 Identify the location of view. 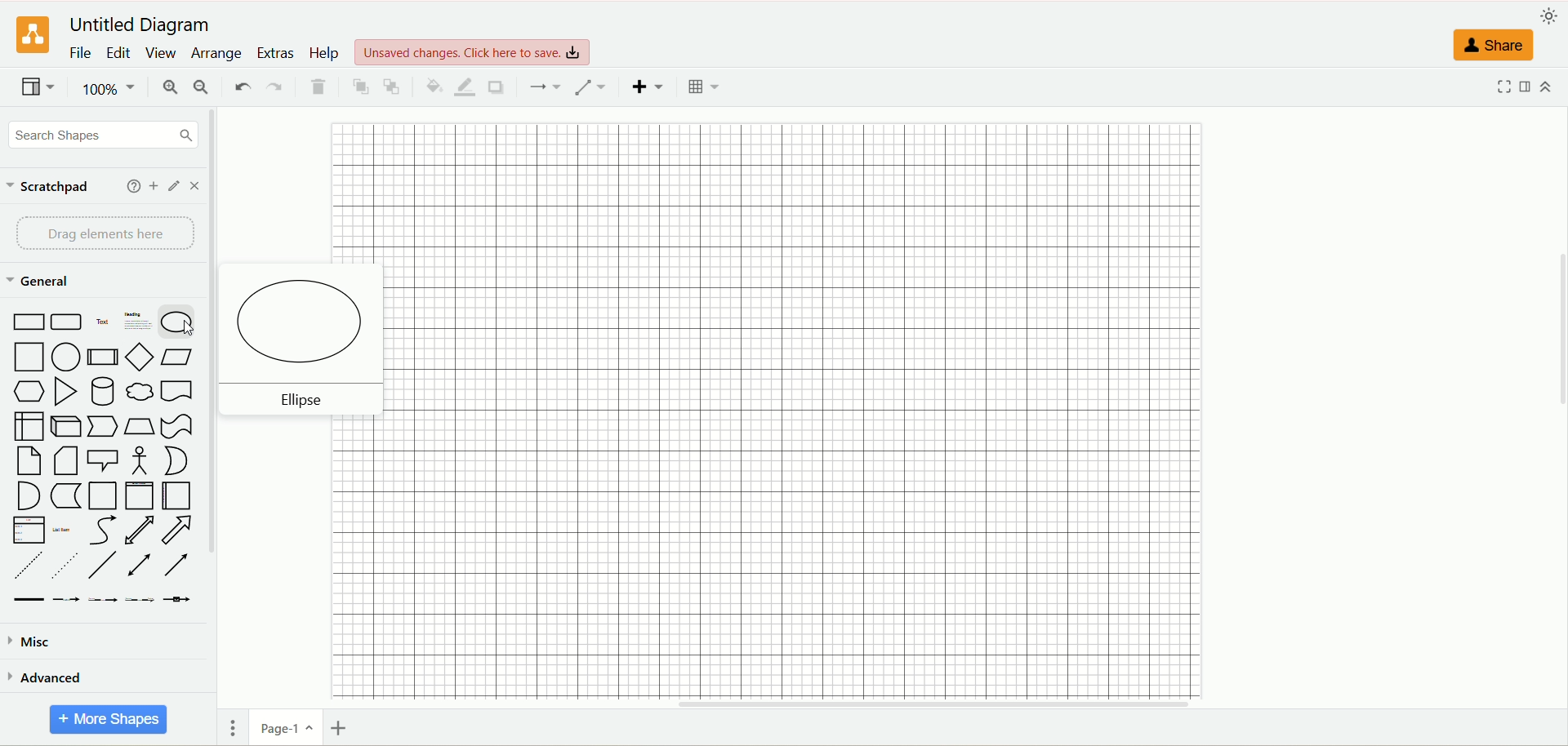
(37, 87).